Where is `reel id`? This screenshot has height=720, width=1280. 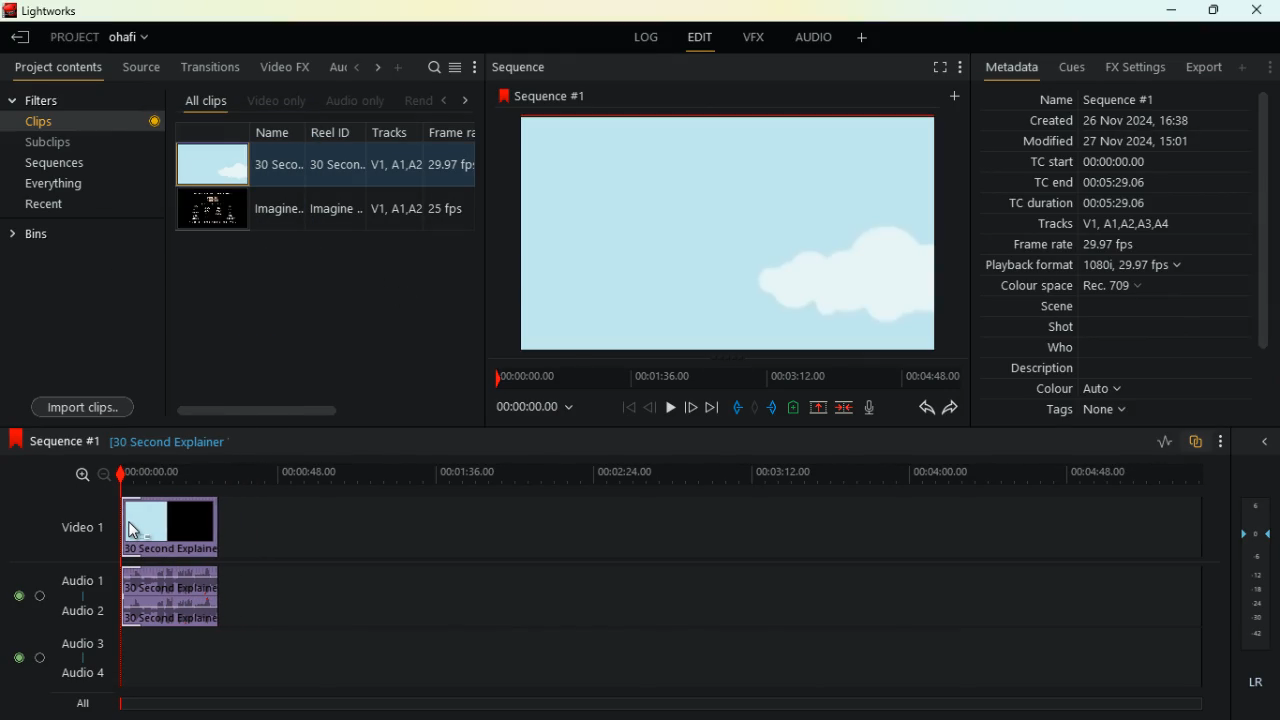
reel id is located at coordinates (337, 175).